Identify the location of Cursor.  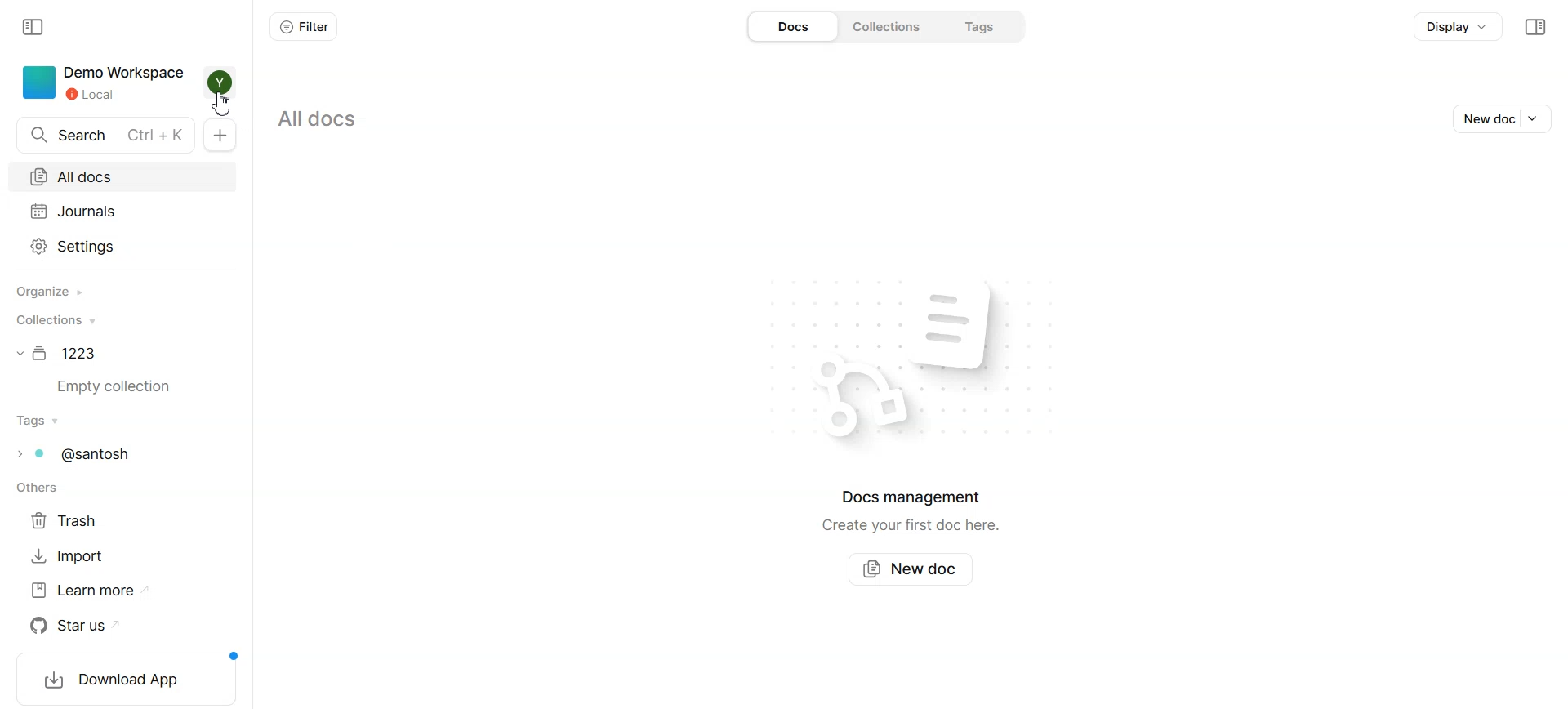
(222, 105).